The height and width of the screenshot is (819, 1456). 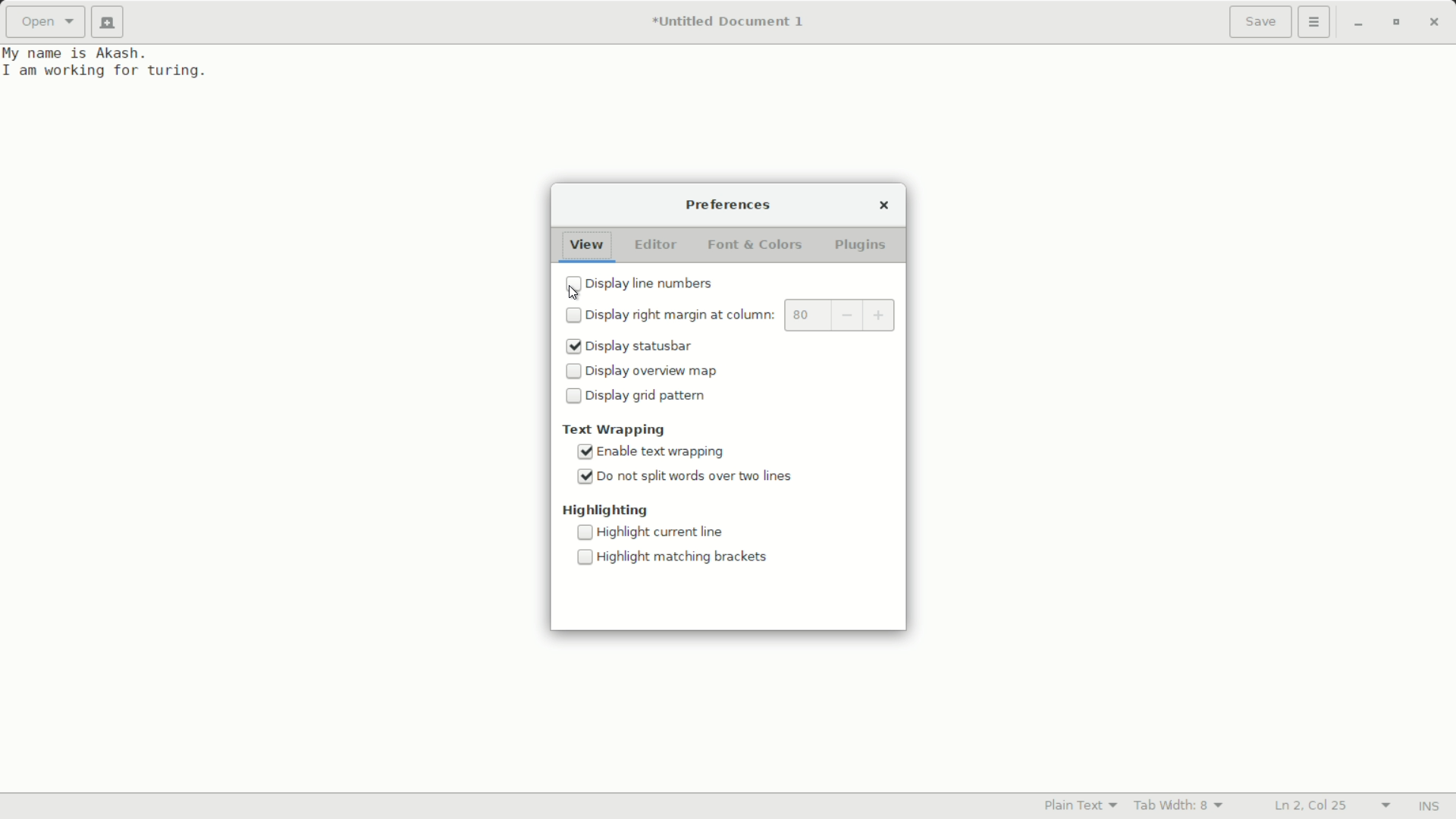 I want to click on save, so click(x=1261, y=24).